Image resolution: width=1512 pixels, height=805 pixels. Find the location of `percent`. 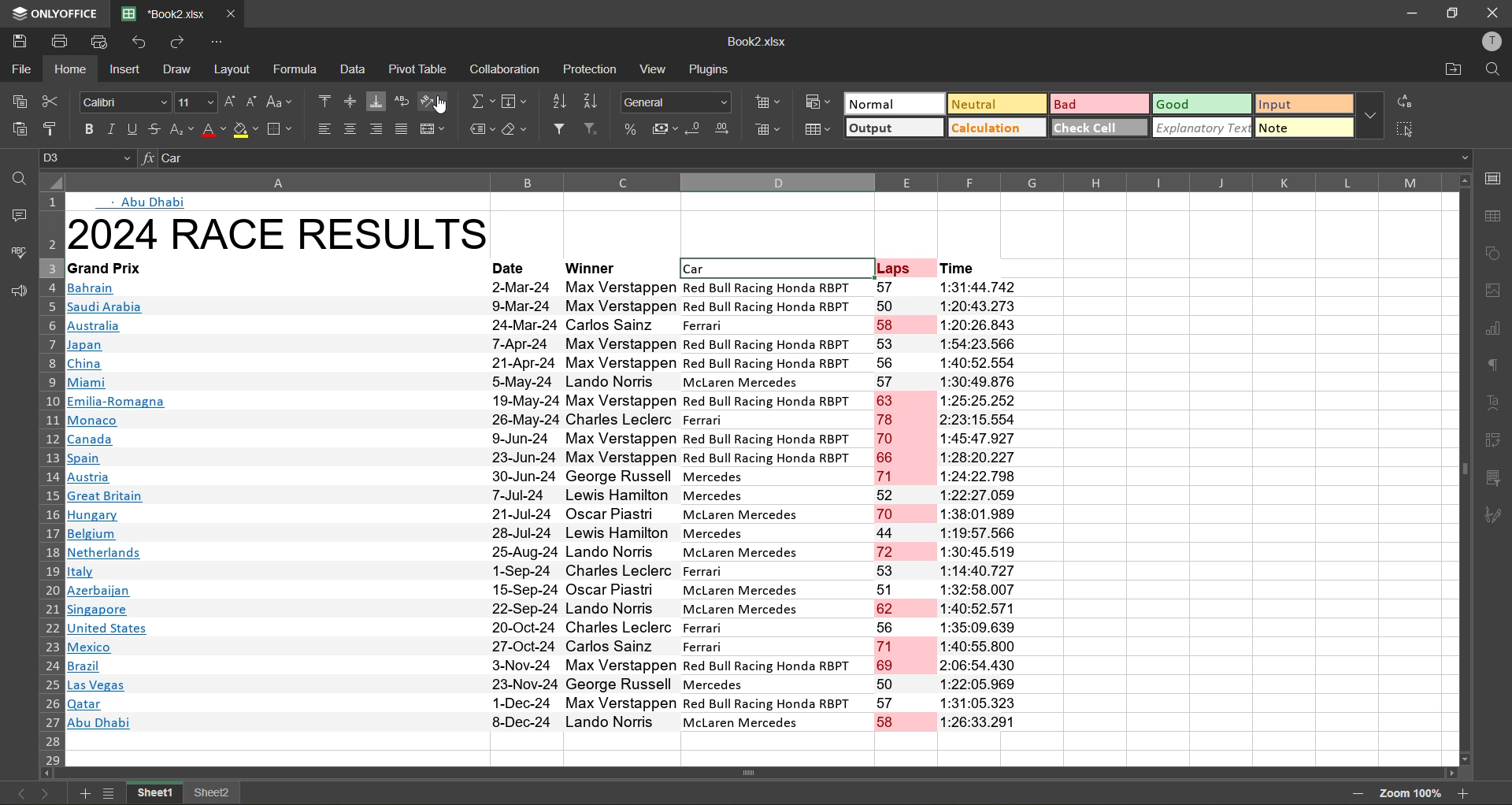

percent is located at coordinates (632, 128).